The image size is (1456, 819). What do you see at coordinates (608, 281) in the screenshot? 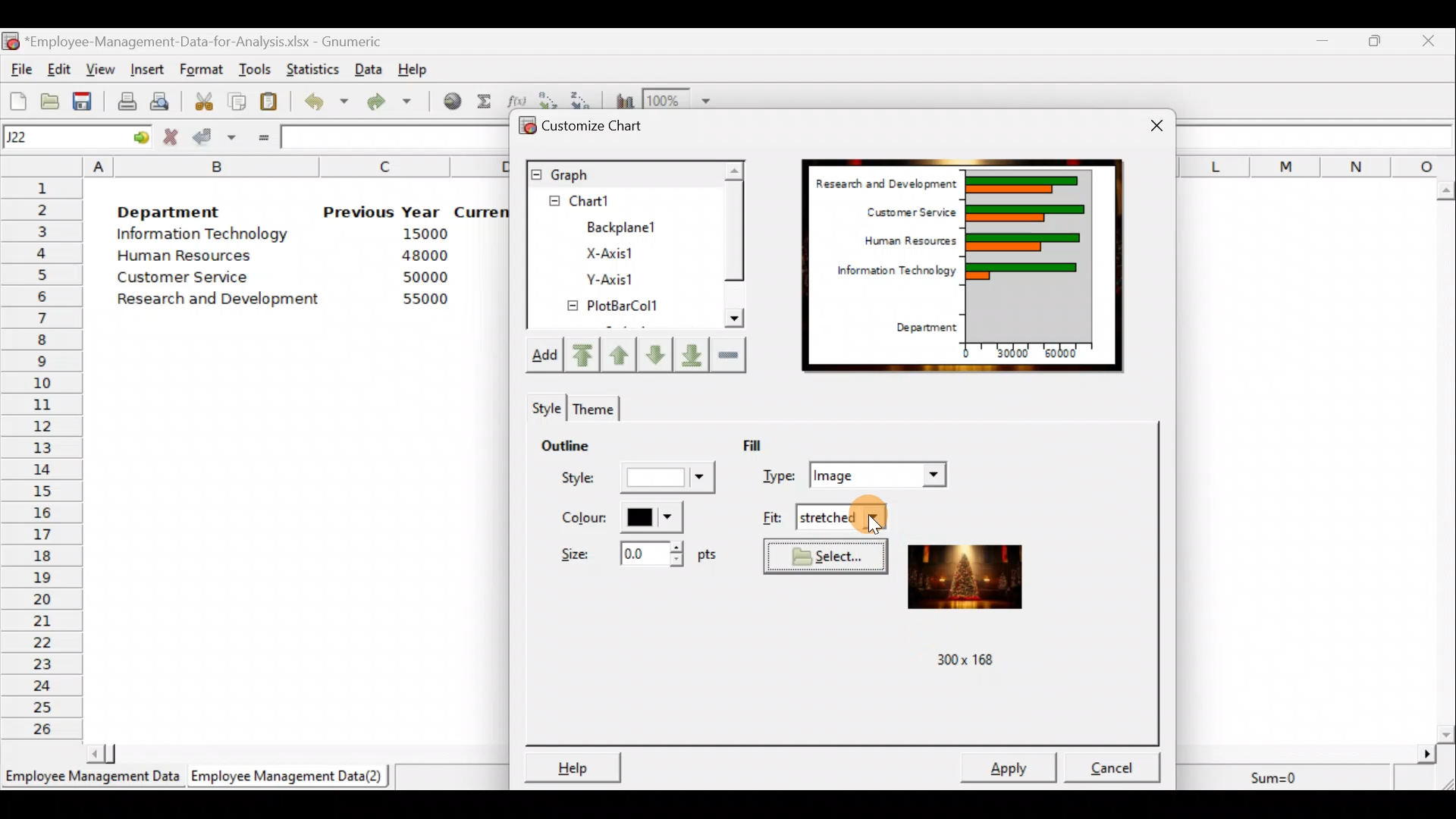
I see `Y-axis1` at bounding box center [608, 281].